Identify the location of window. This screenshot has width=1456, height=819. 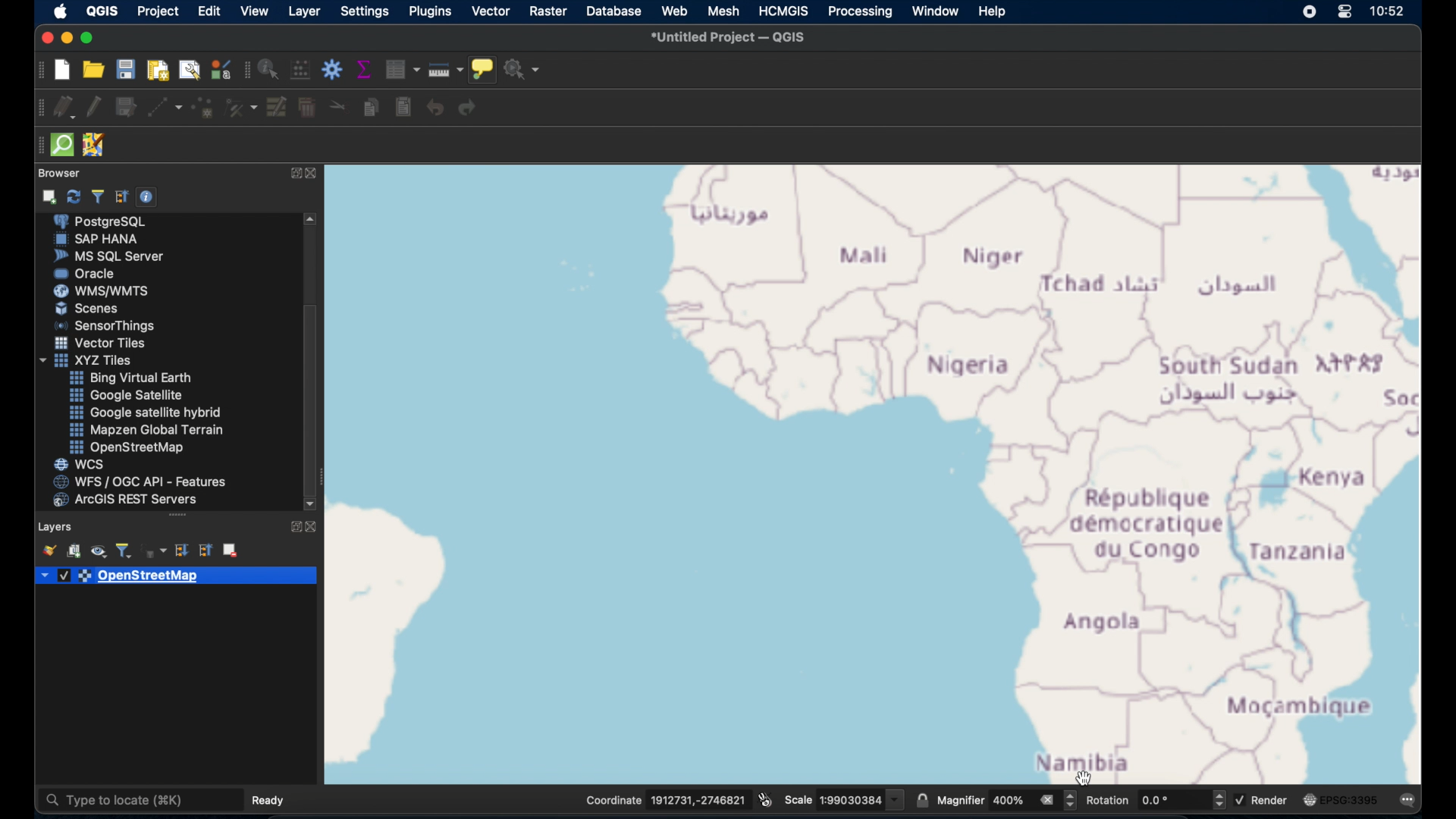
(934, 11).